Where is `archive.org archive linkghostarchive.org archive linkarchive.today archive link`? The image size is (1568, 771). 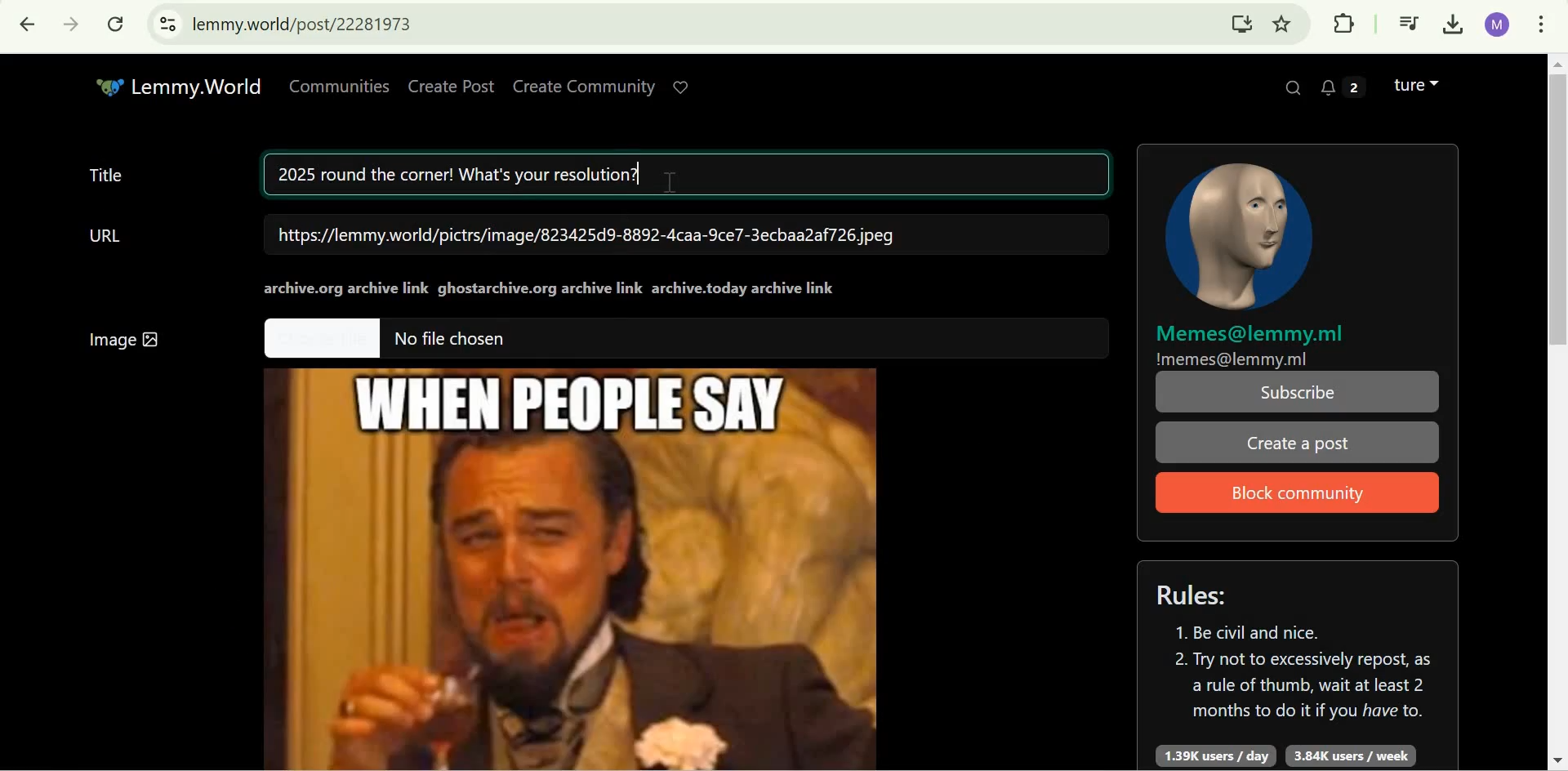 archive.org archive linkghostarchive.org archive linkarchive.today archive link is located at coordinates (550, 288).